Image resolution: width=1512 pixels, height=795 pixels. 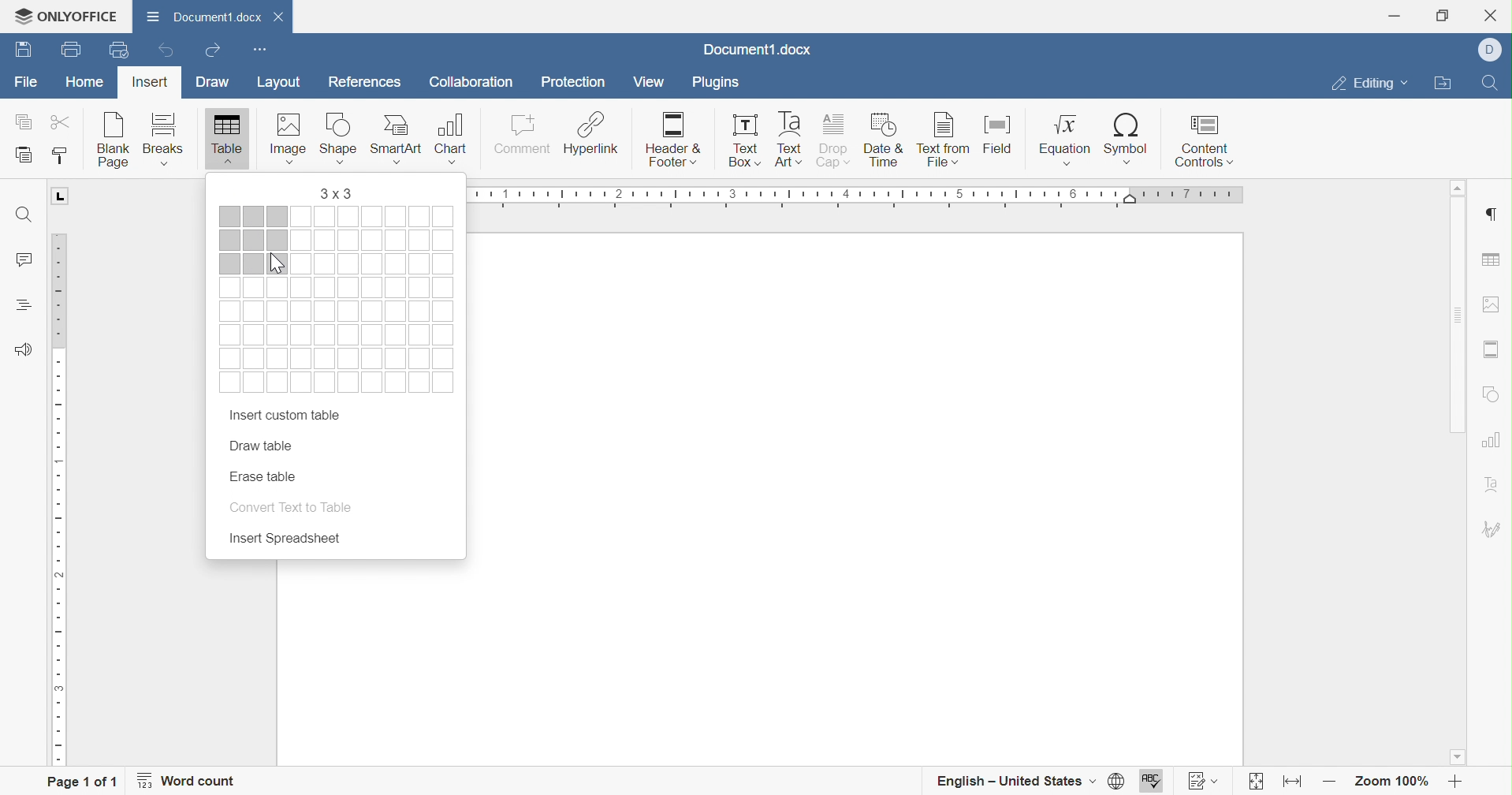 What do you see at coordinates (338, 194) in the screenshot?
I see `3 × 3` at bounding box center [338, 194].